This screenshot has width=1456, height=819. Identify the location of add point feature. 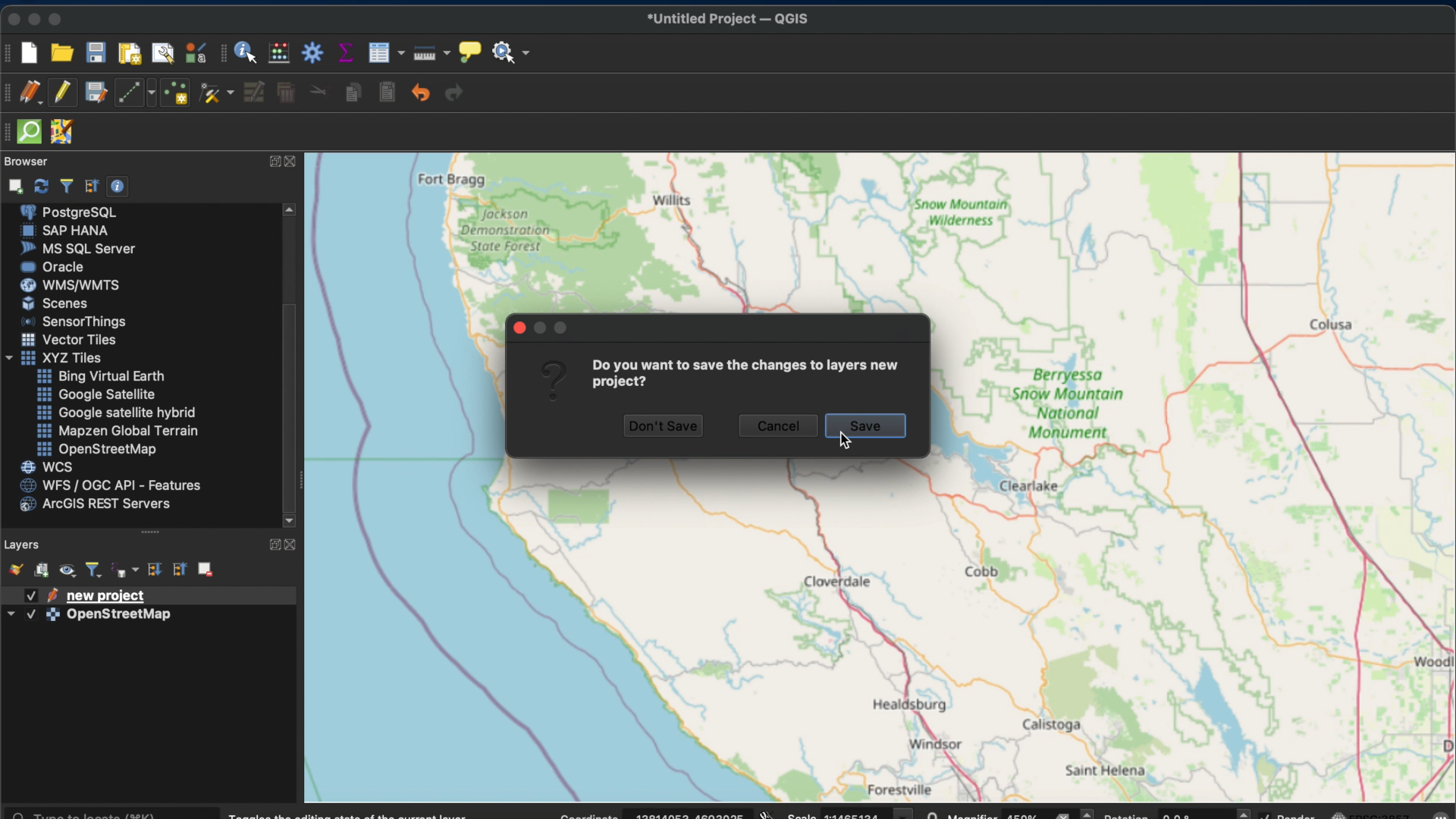
(177, 93).